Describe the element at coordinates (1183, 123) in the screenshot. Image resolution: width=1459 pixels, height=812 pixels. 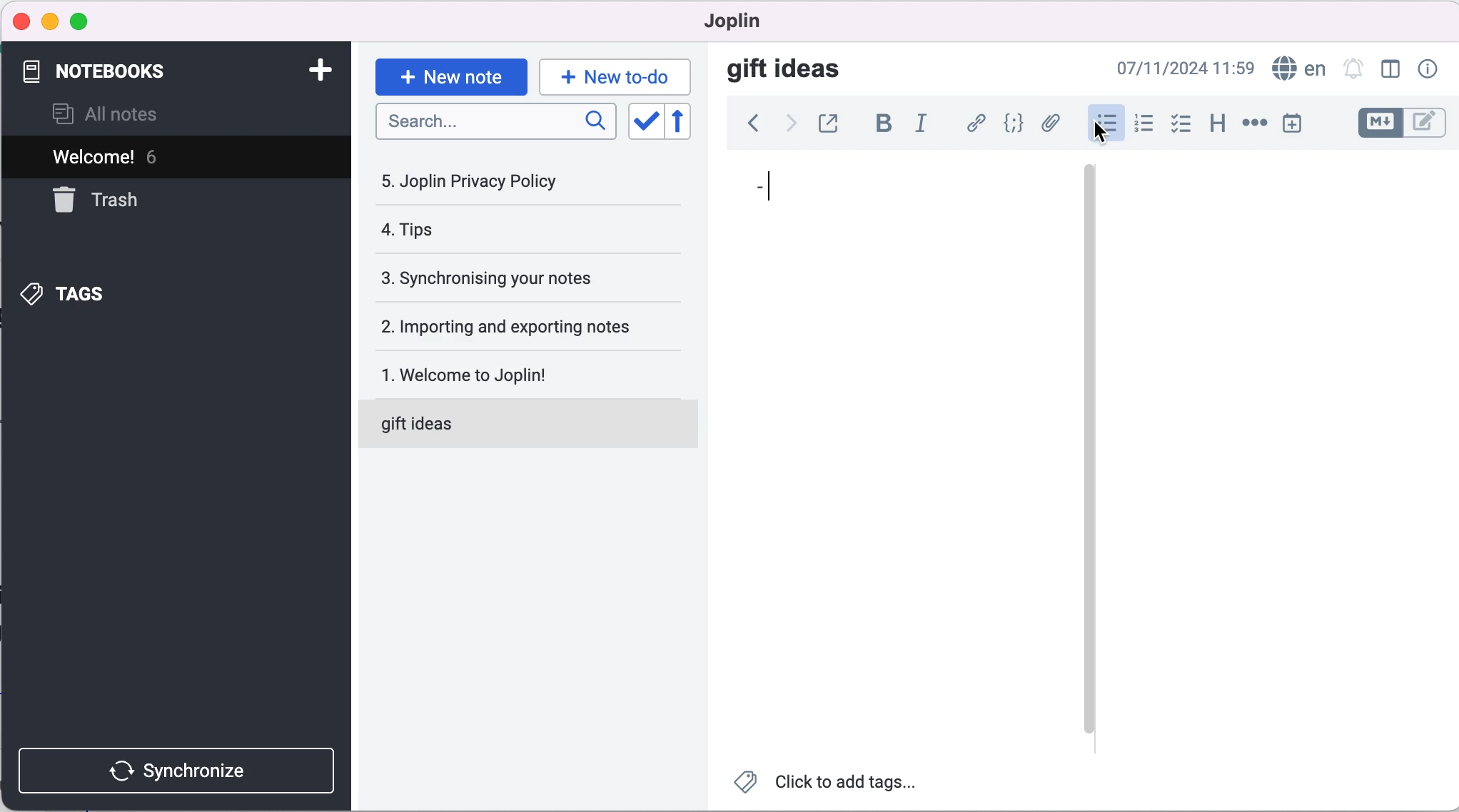
I see `checkbox` at that location.